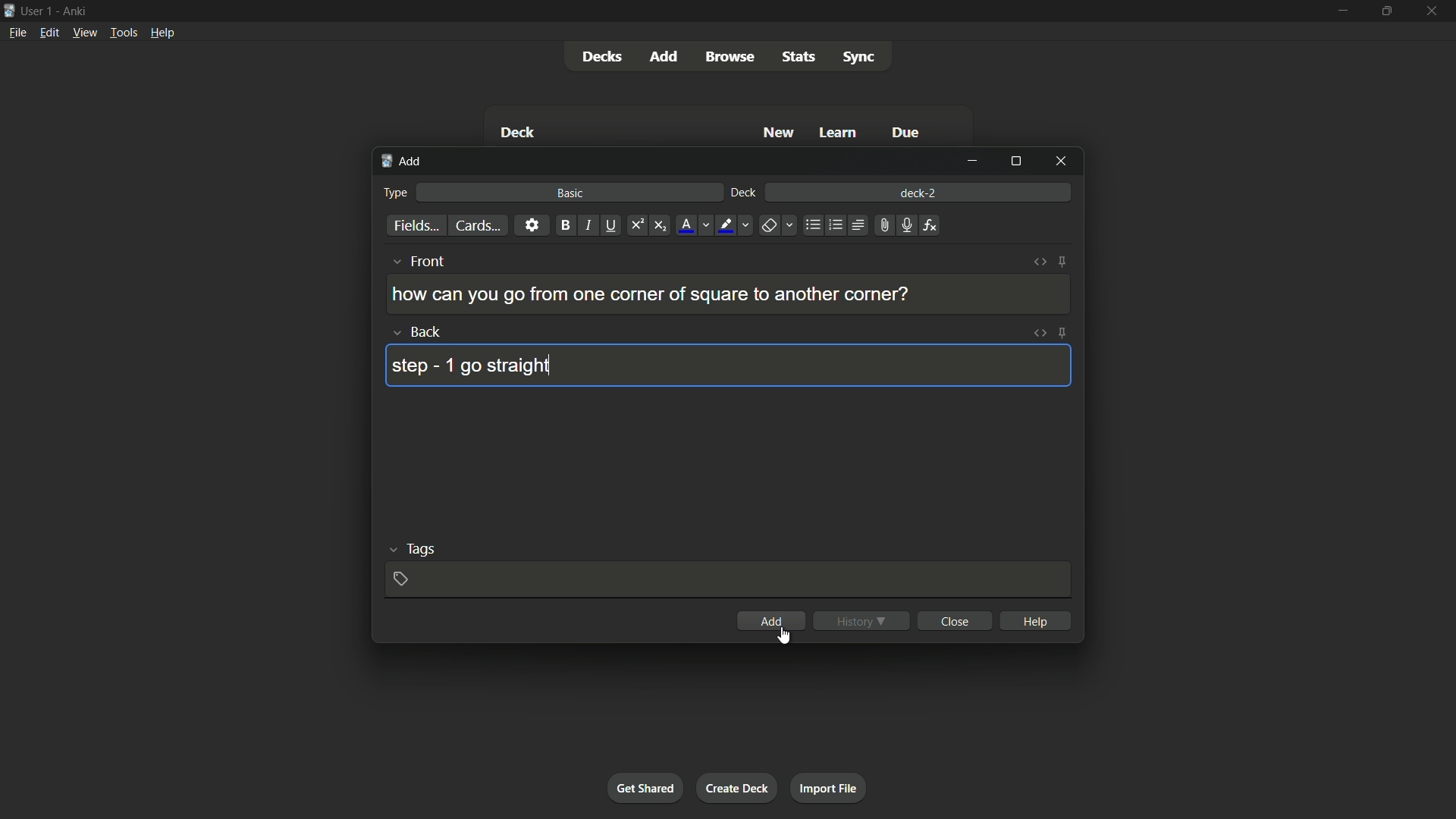  Describe the element at coordinates (647, 788) in the screenshot. I see `get shared` at that location.